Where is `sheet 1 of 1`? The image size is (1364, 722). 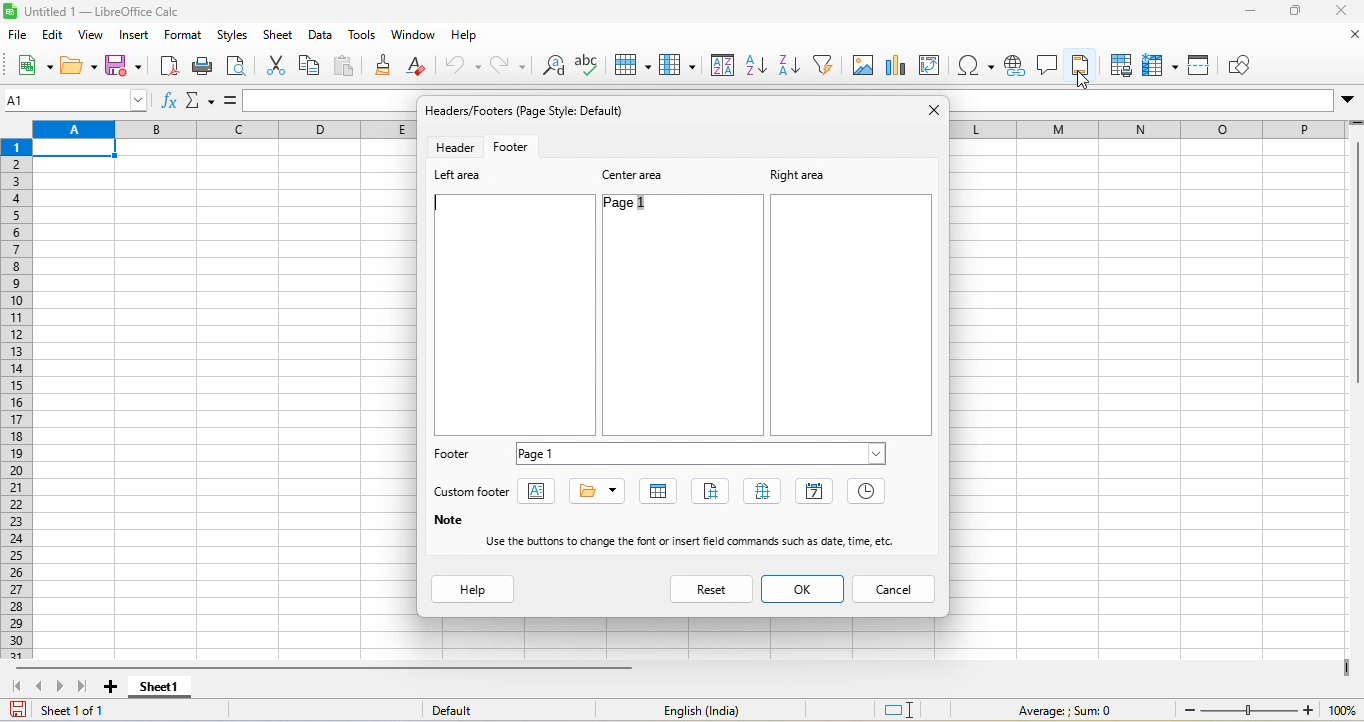
sheet 1 of 1 is located at coordinates (68, 710).